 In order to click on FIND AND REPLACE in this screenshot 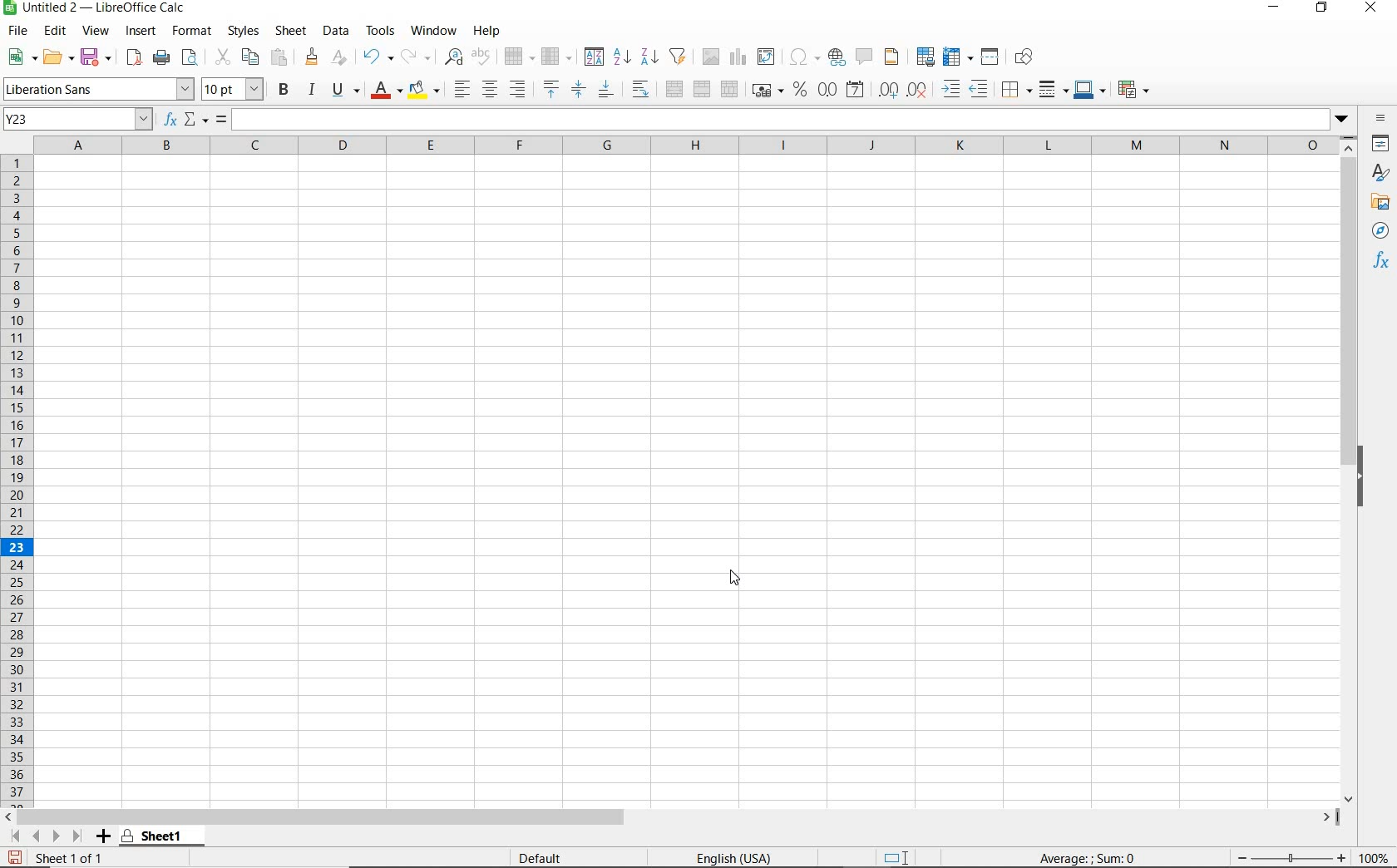, I will do `click(455, 56)`.